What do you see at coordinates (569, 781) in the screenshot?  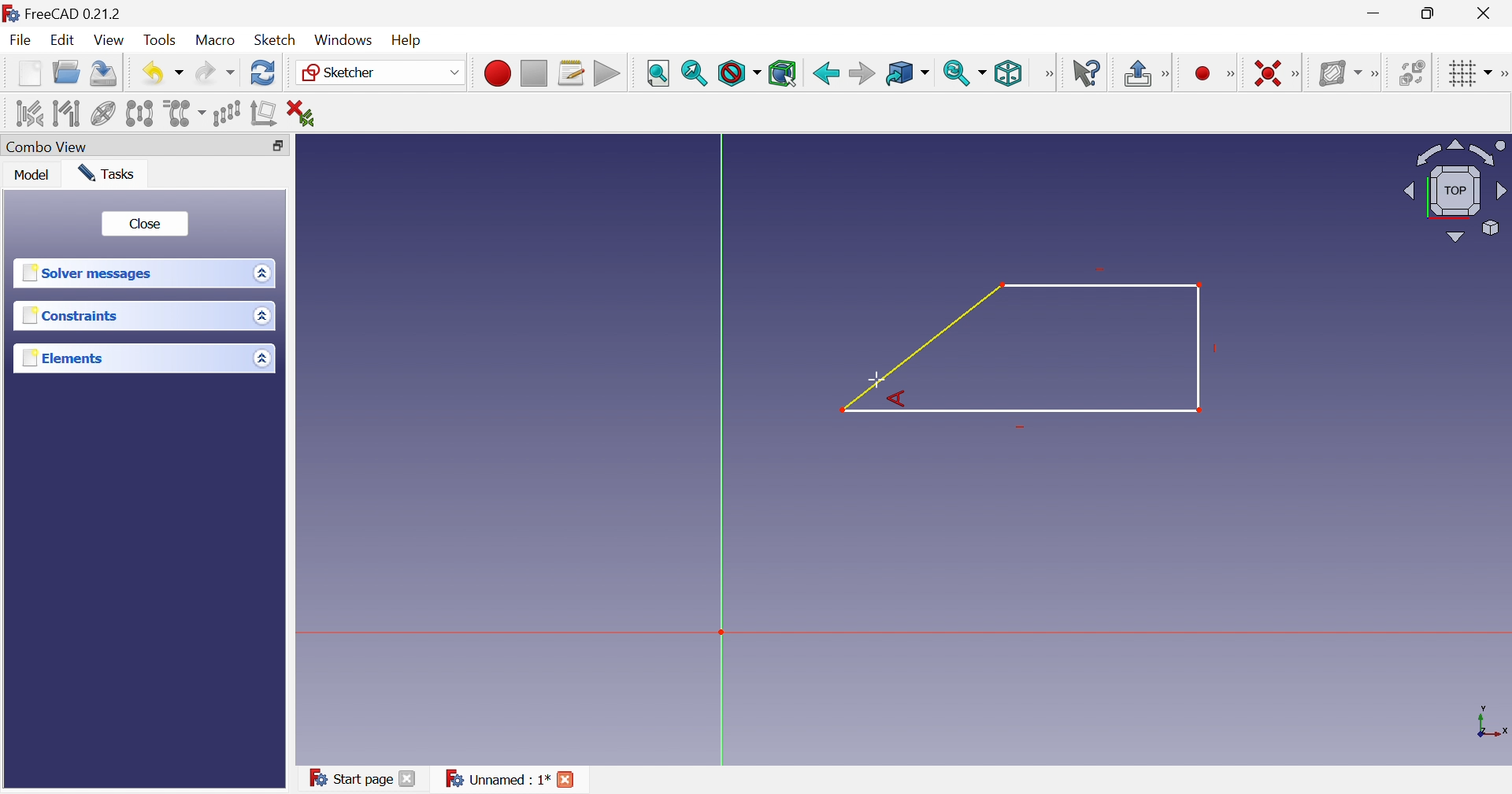 I see `Close` at bounding box center [569, 781].